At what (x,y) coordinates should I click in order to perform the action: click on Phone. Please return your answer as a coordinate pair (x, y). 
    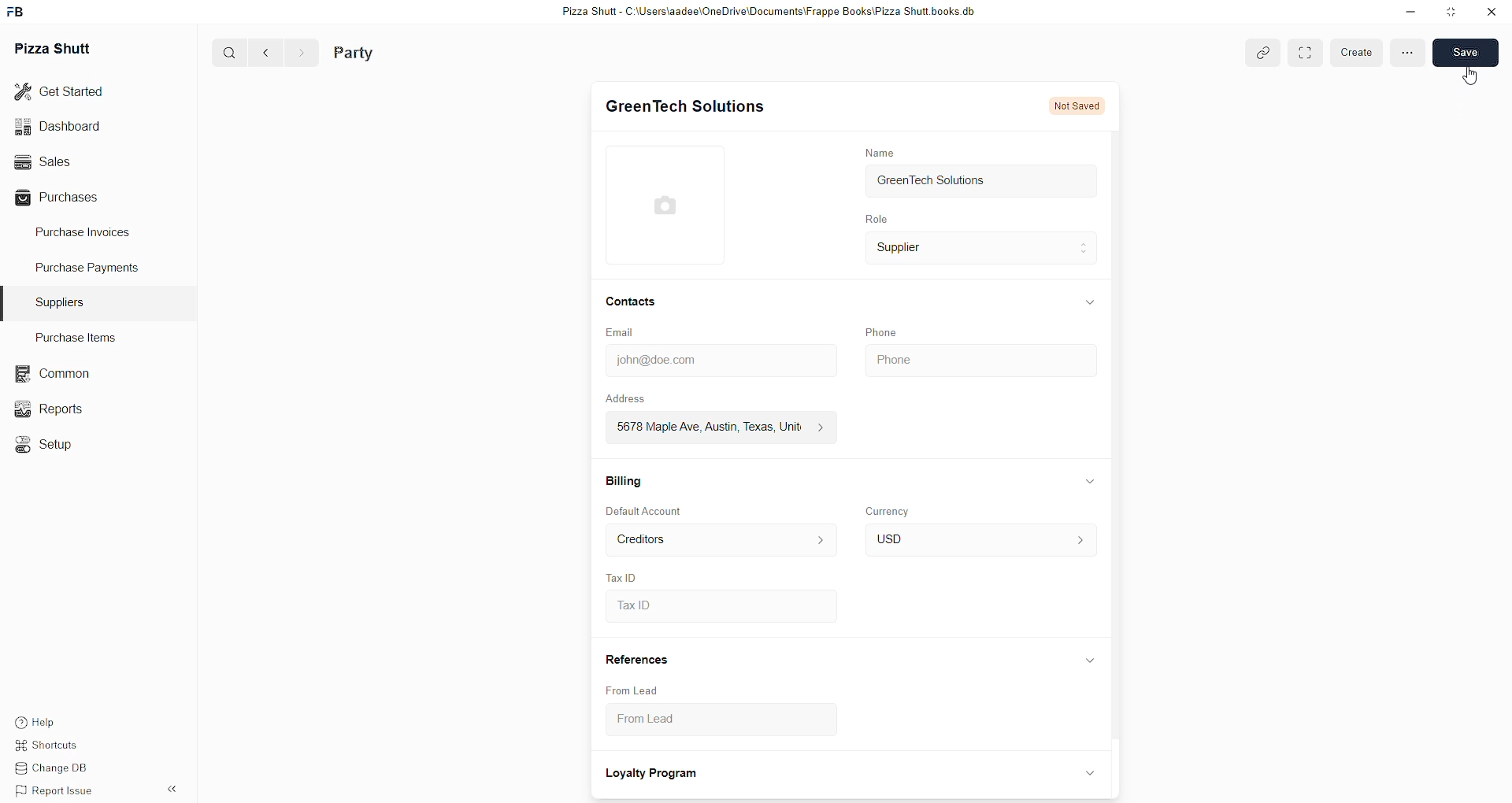
    Looking at the image, I should click on (978, 357).